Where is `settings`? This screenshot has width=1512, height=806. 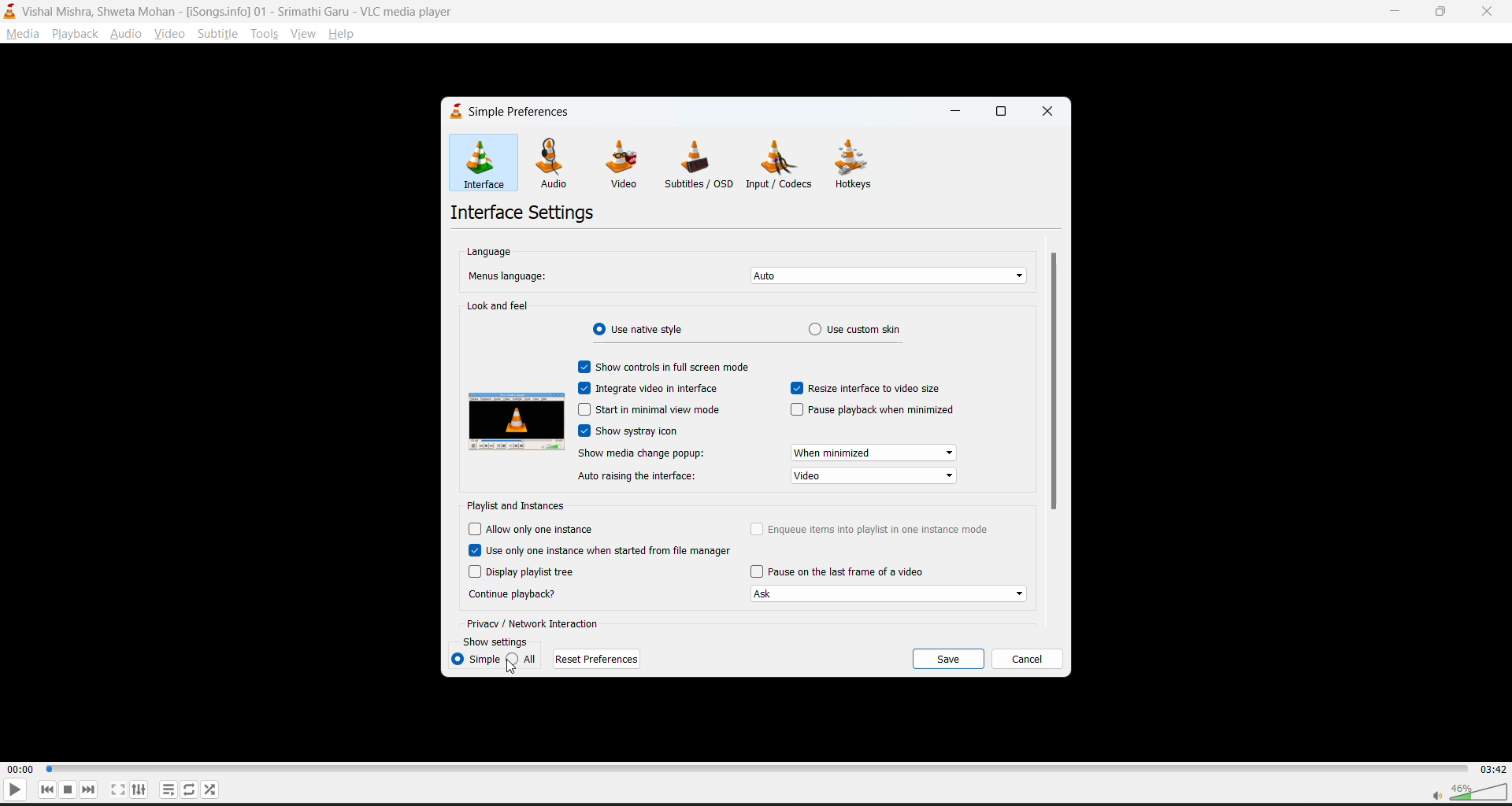 settings is located at coordinates (137, 790).